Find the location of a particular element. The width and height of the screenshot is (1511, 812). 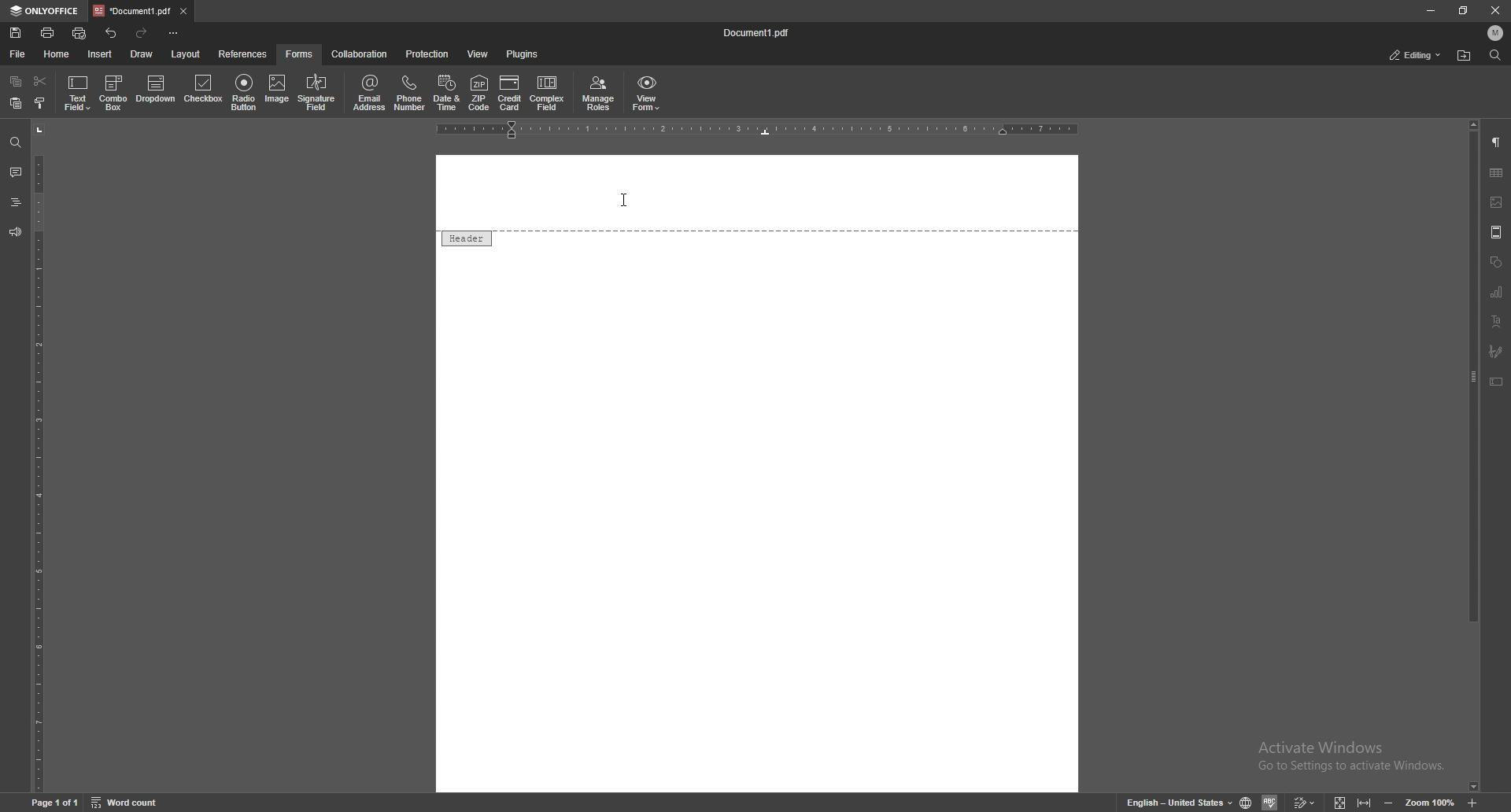

home is located at coordinates (57, 54).